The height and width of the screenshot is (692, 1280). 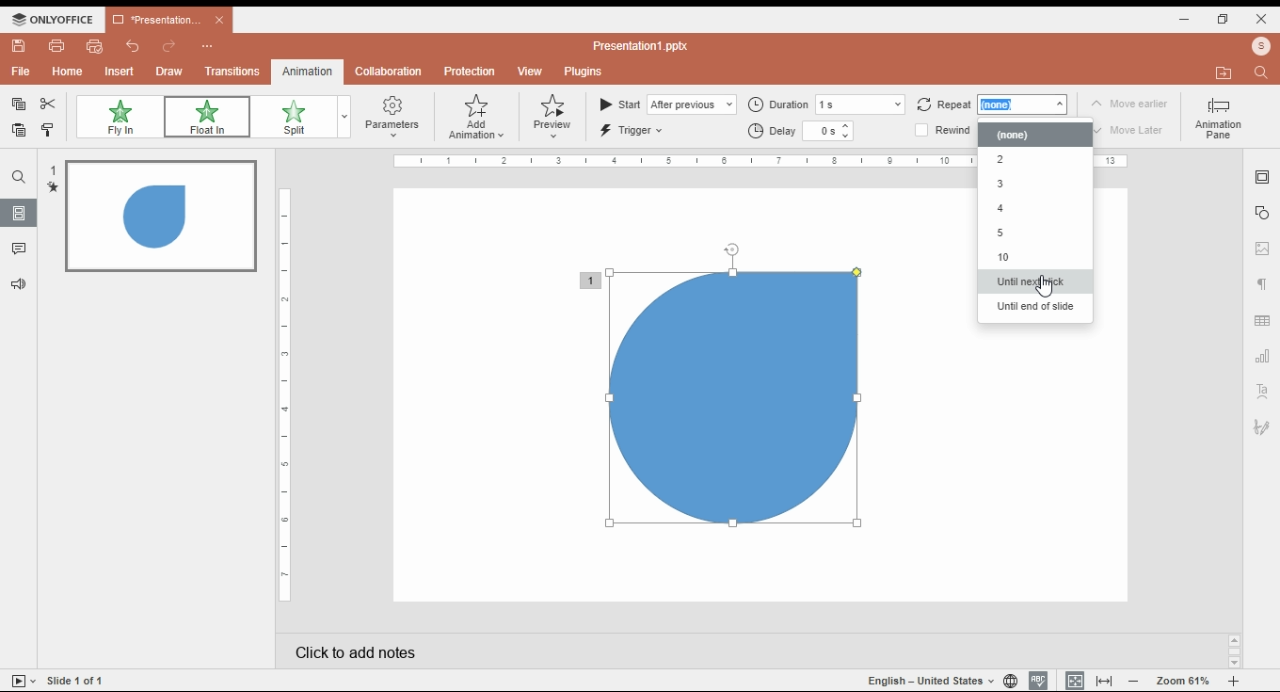 What do you see at coordinates (478, 118) in the screenshot?
I see `add animation` at bounding box center [478, 118].